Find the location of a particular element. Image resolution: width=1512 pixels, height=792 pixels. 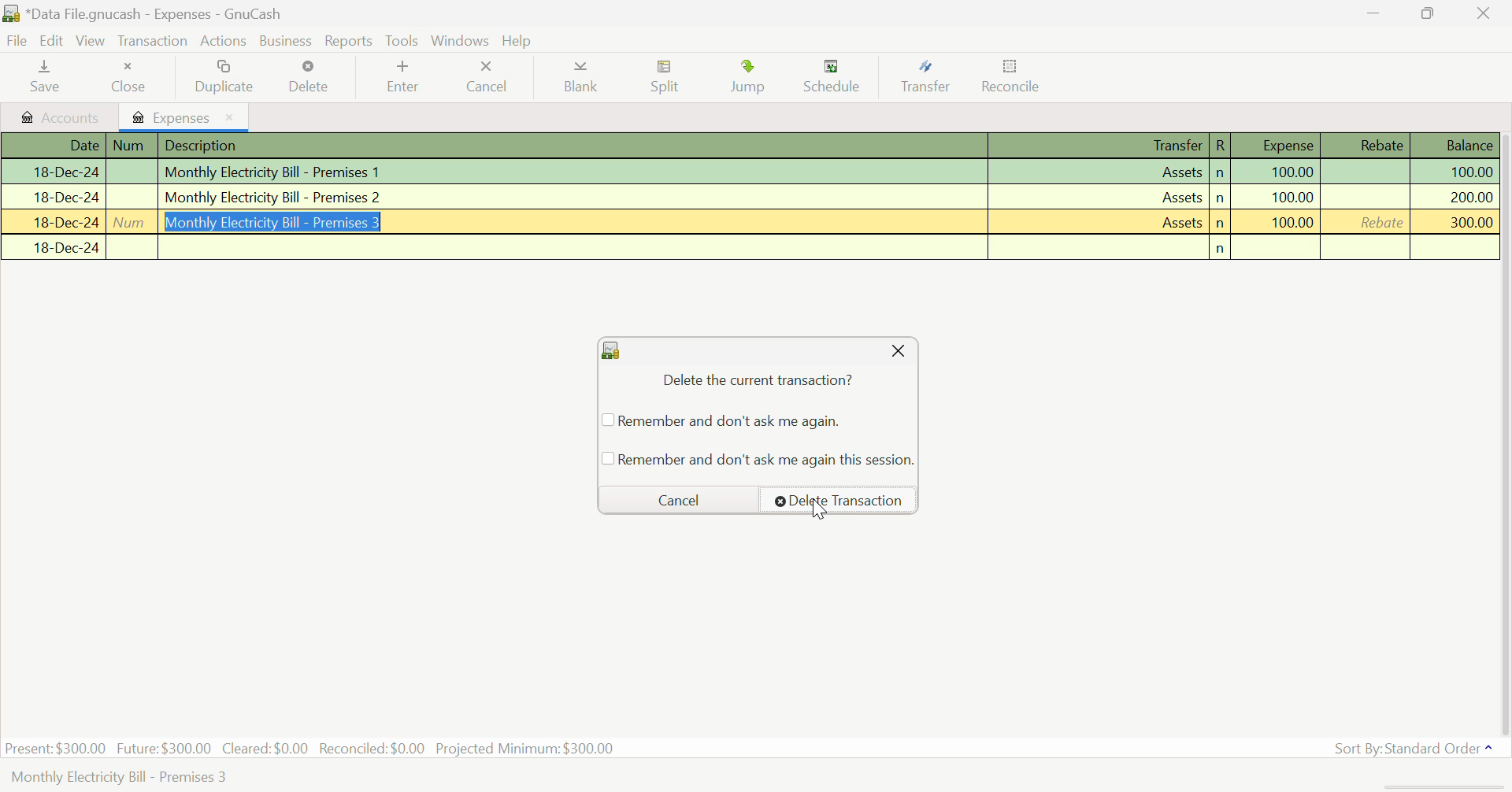

Minimize Window is located at coordinates (1430, 13).